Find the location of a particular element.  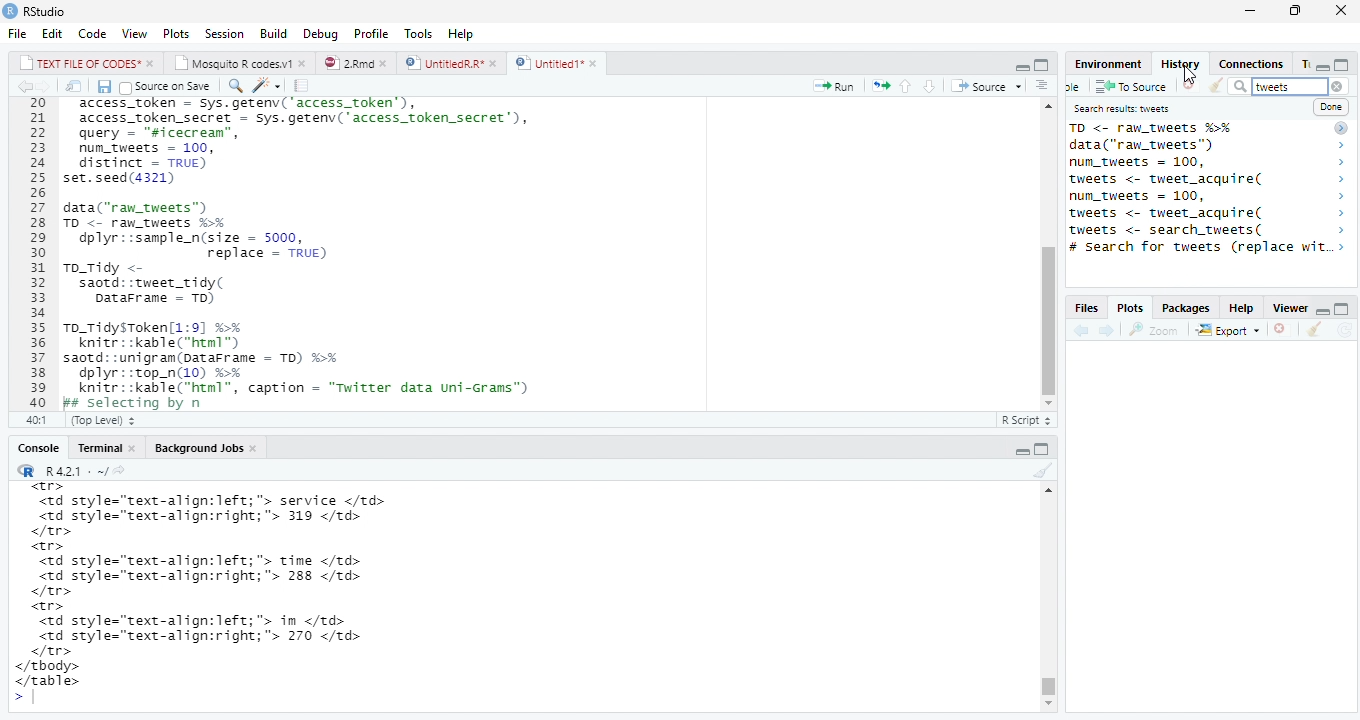

Session is located at coordinates (223, 33).